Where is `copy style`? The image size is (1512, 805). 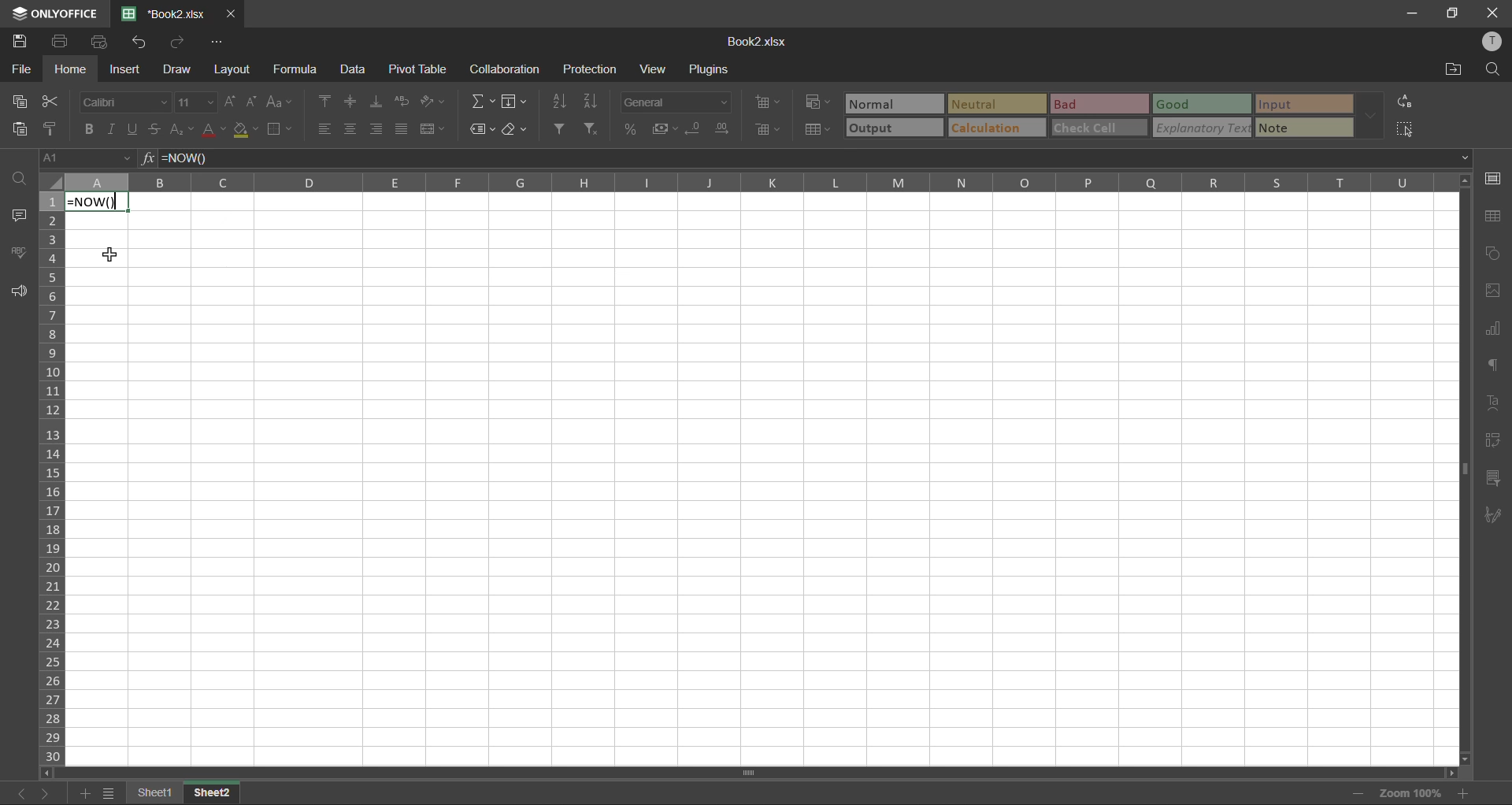 copy style is located at coordinates (56, 128).